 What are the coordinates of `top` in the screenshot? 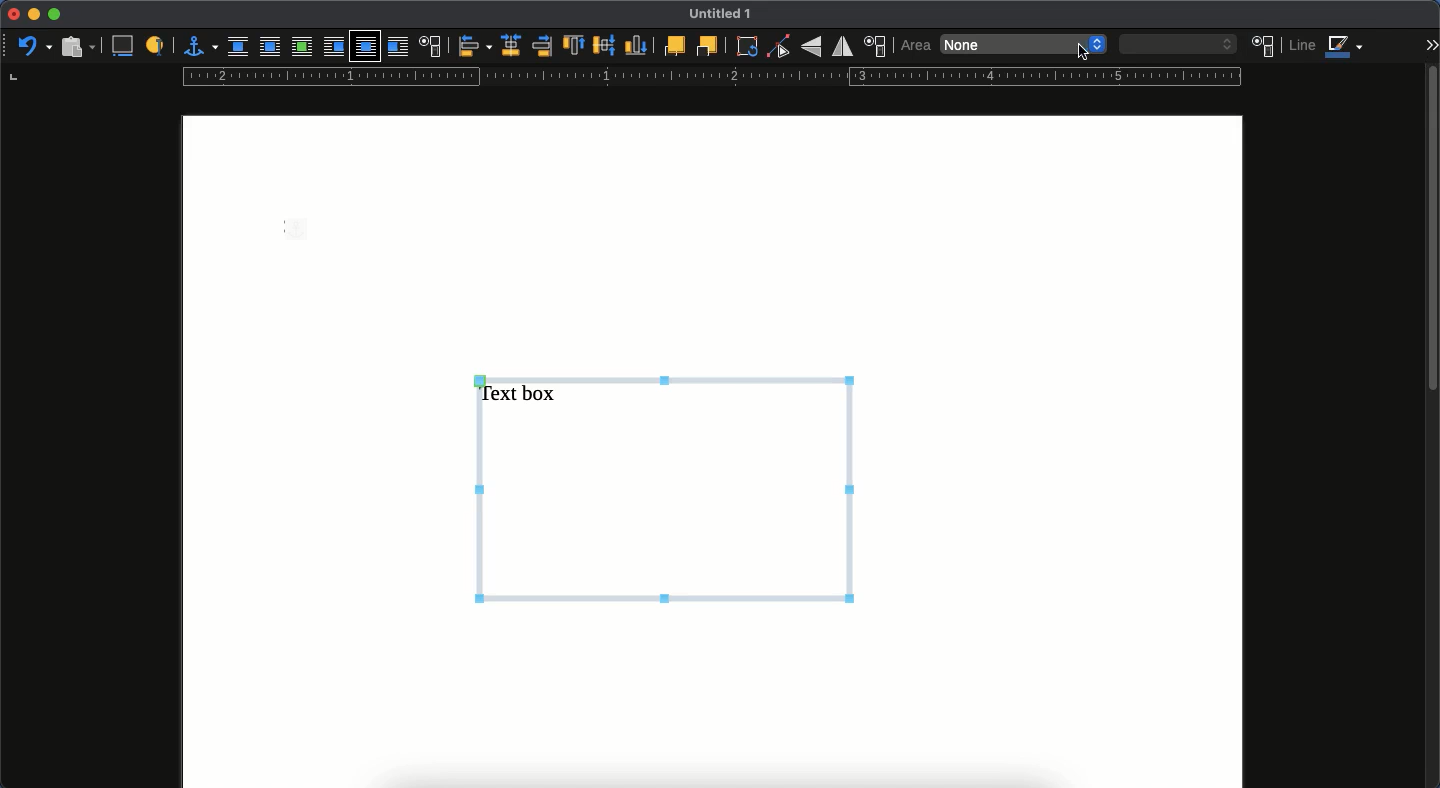 It's located at (574, 47).